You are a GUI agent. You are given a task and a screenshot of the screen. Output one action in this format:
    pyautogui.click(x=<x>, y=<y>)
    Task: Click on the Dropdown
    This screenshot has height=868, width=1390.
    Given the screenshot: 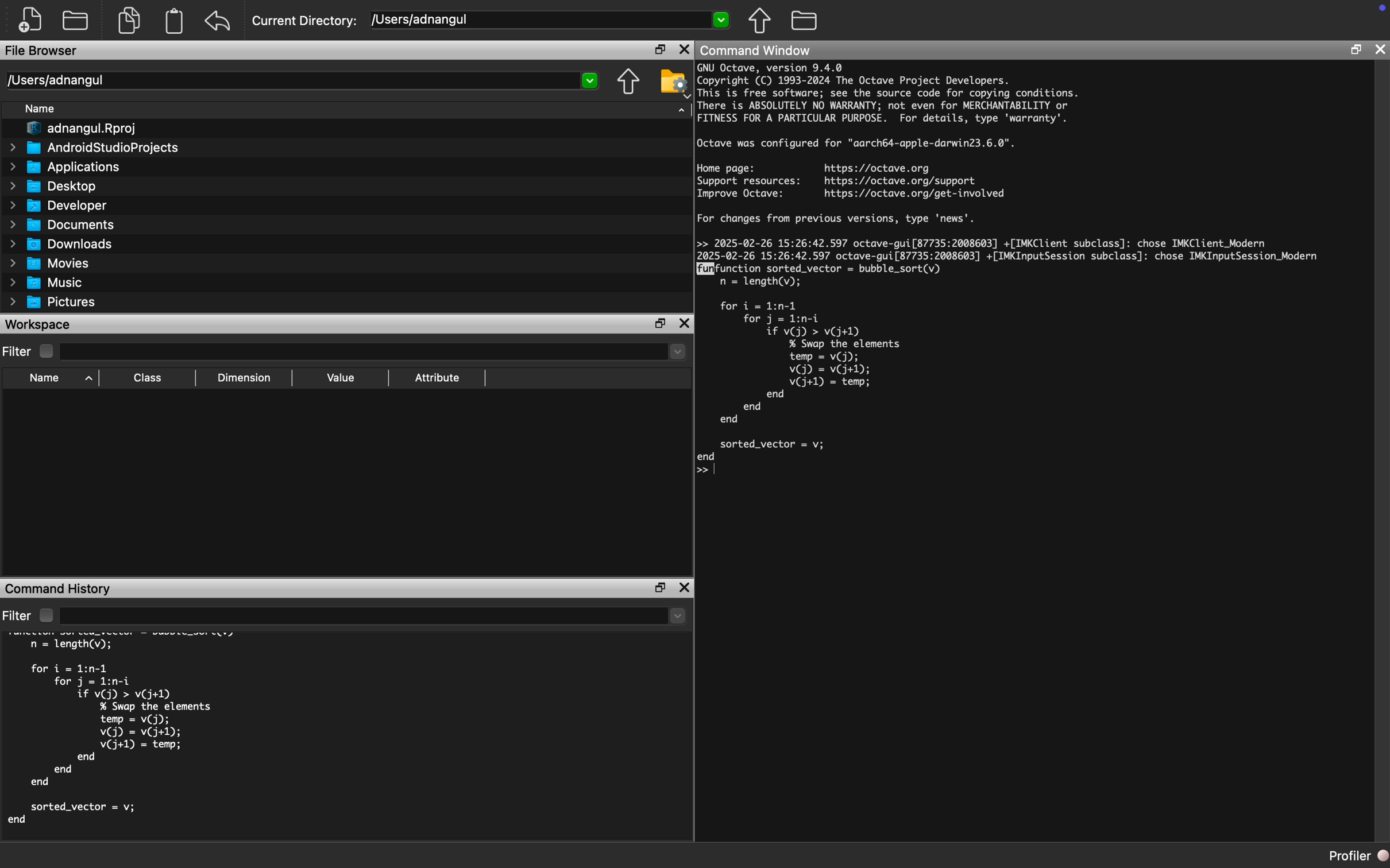 What is the action you would take?
    pyautogui.click(x=375, y=351)
    